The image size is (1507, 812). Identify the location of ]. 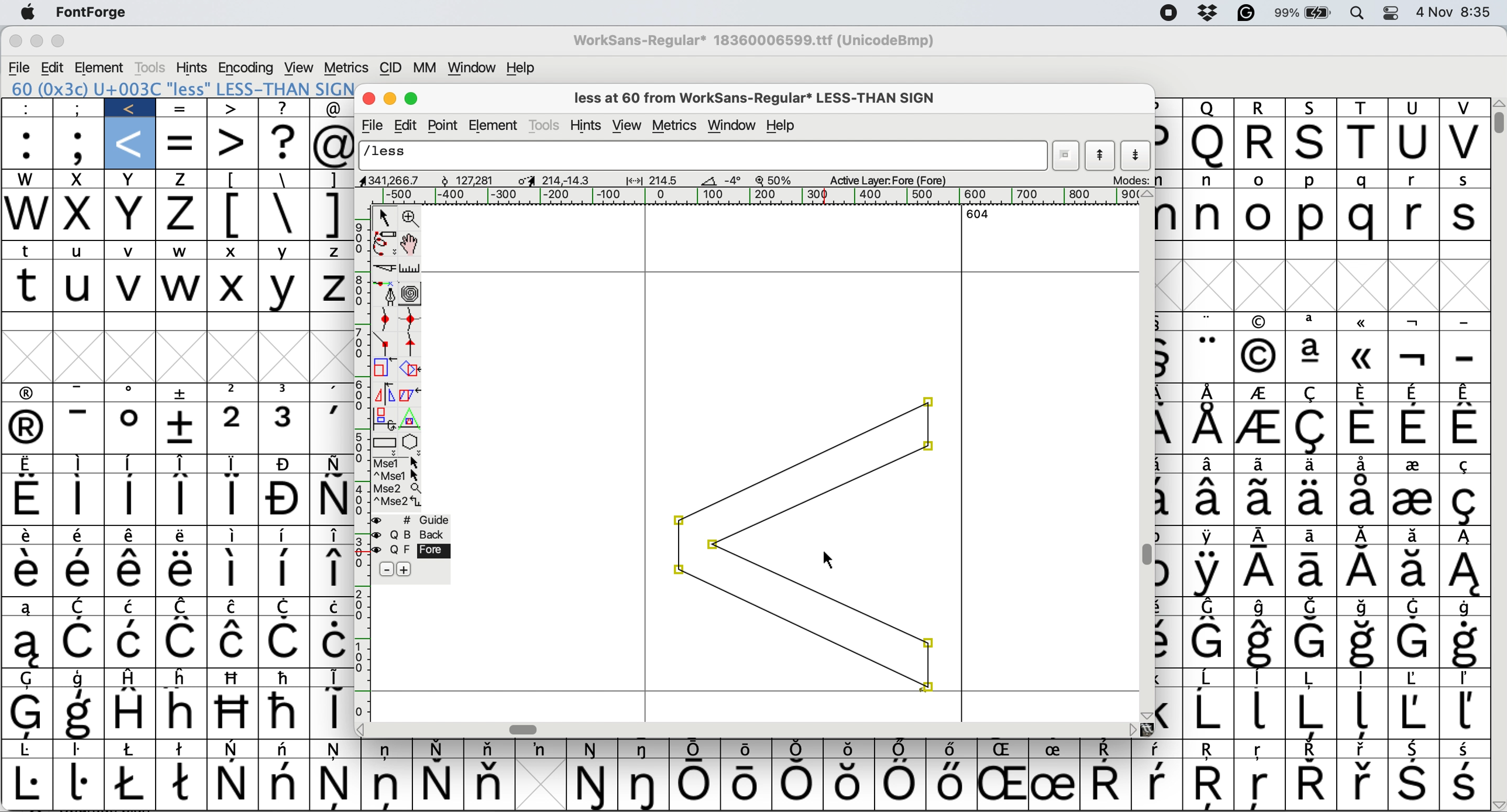
(333, 180).